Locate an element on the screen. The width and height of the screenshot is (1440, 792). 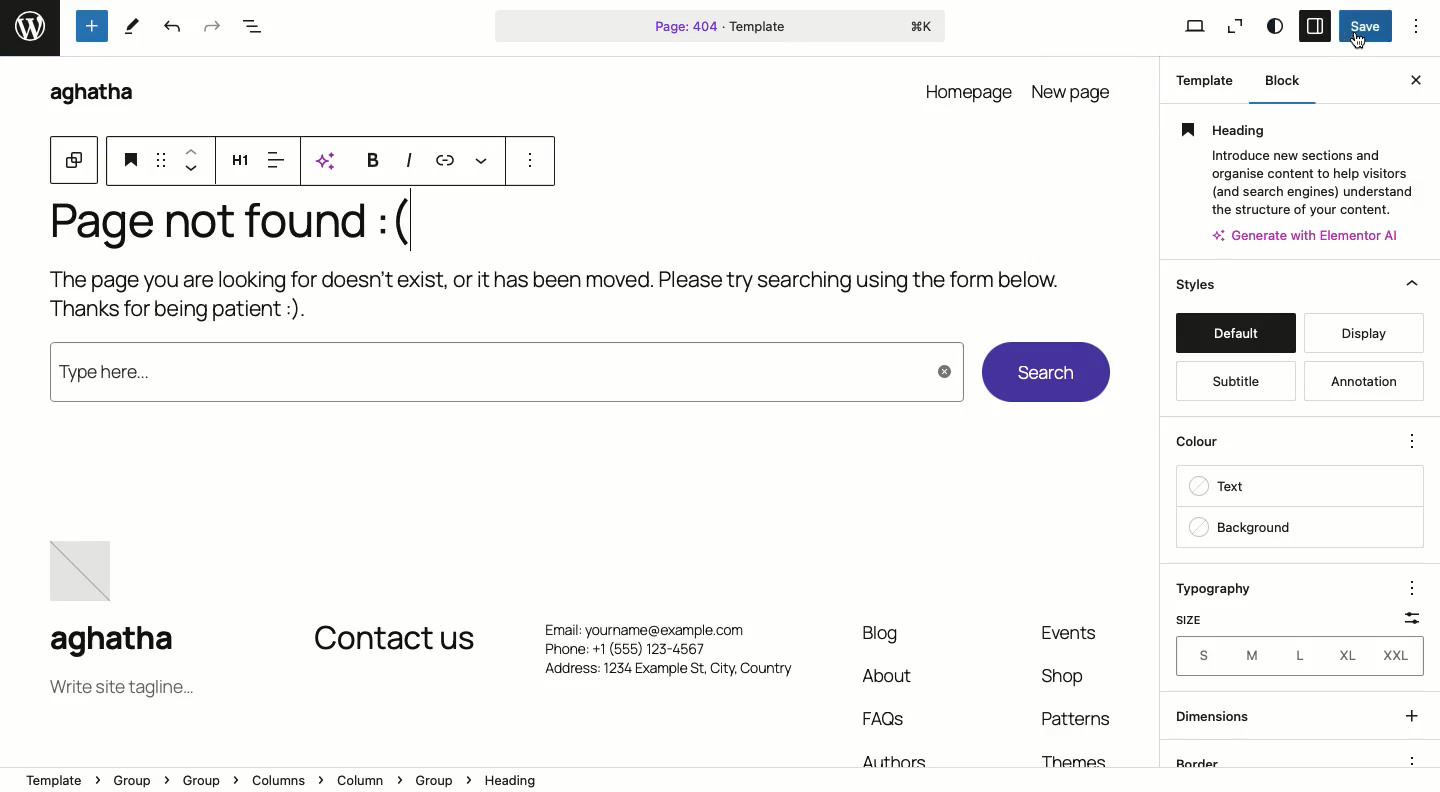
word press logo is located at coordinates (29, 28).